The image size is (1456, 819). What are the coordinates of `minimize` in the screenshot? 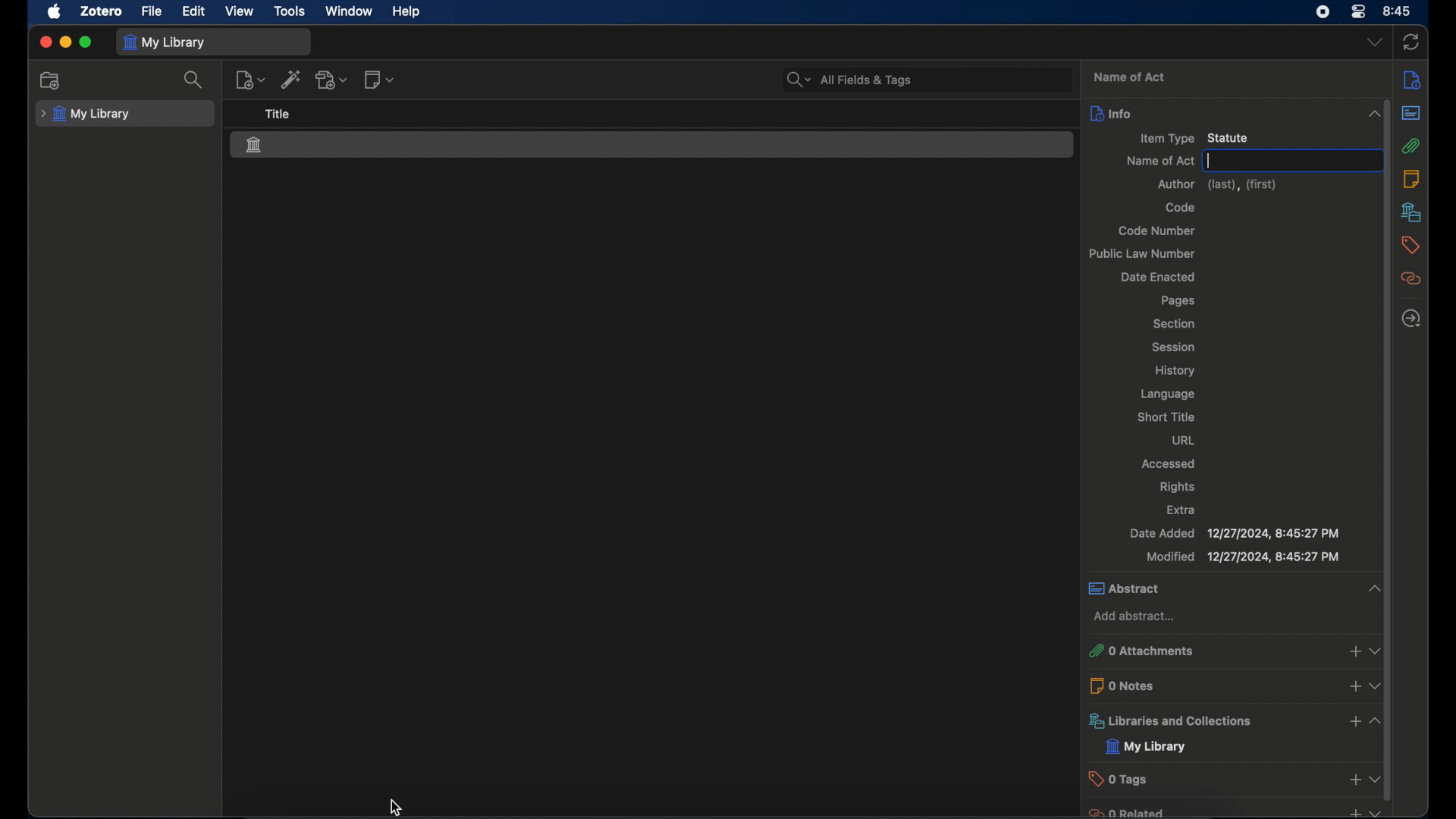 It's located at (65, 42).